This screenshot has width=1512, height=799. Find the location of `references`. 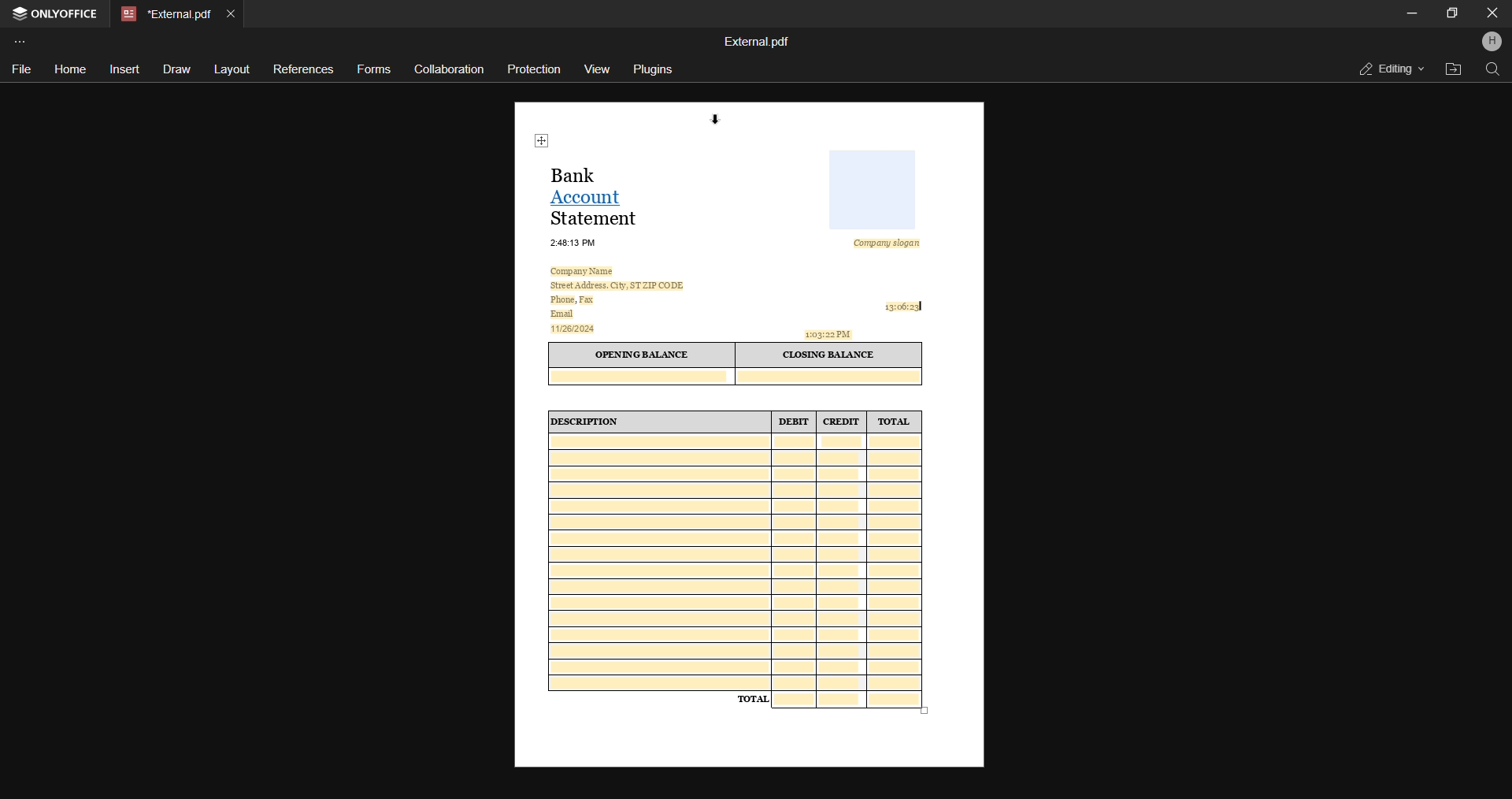

references is located at coordinates (302, 69).